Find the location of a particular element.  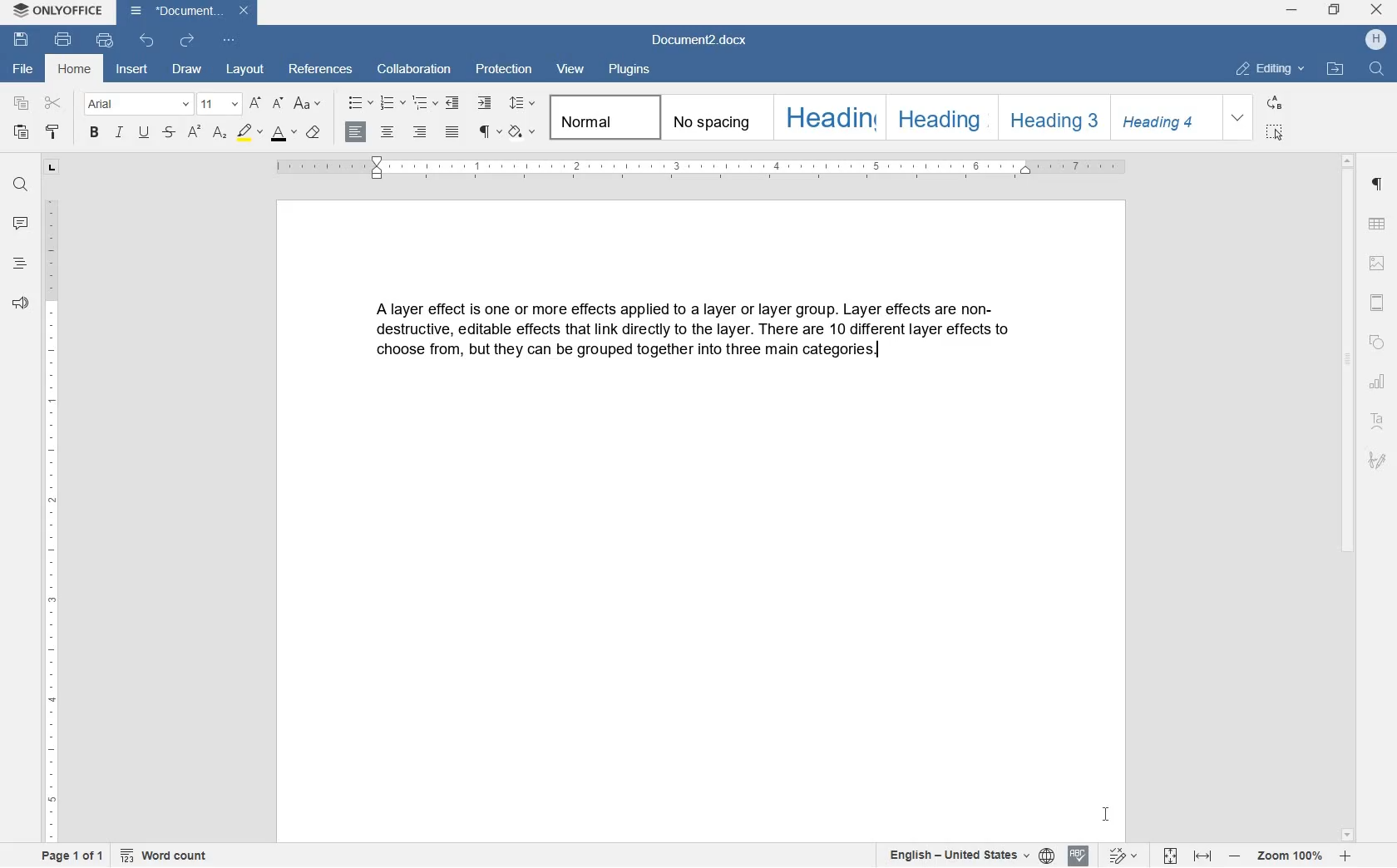

FILE NAME is located at coordinates (22, 70).